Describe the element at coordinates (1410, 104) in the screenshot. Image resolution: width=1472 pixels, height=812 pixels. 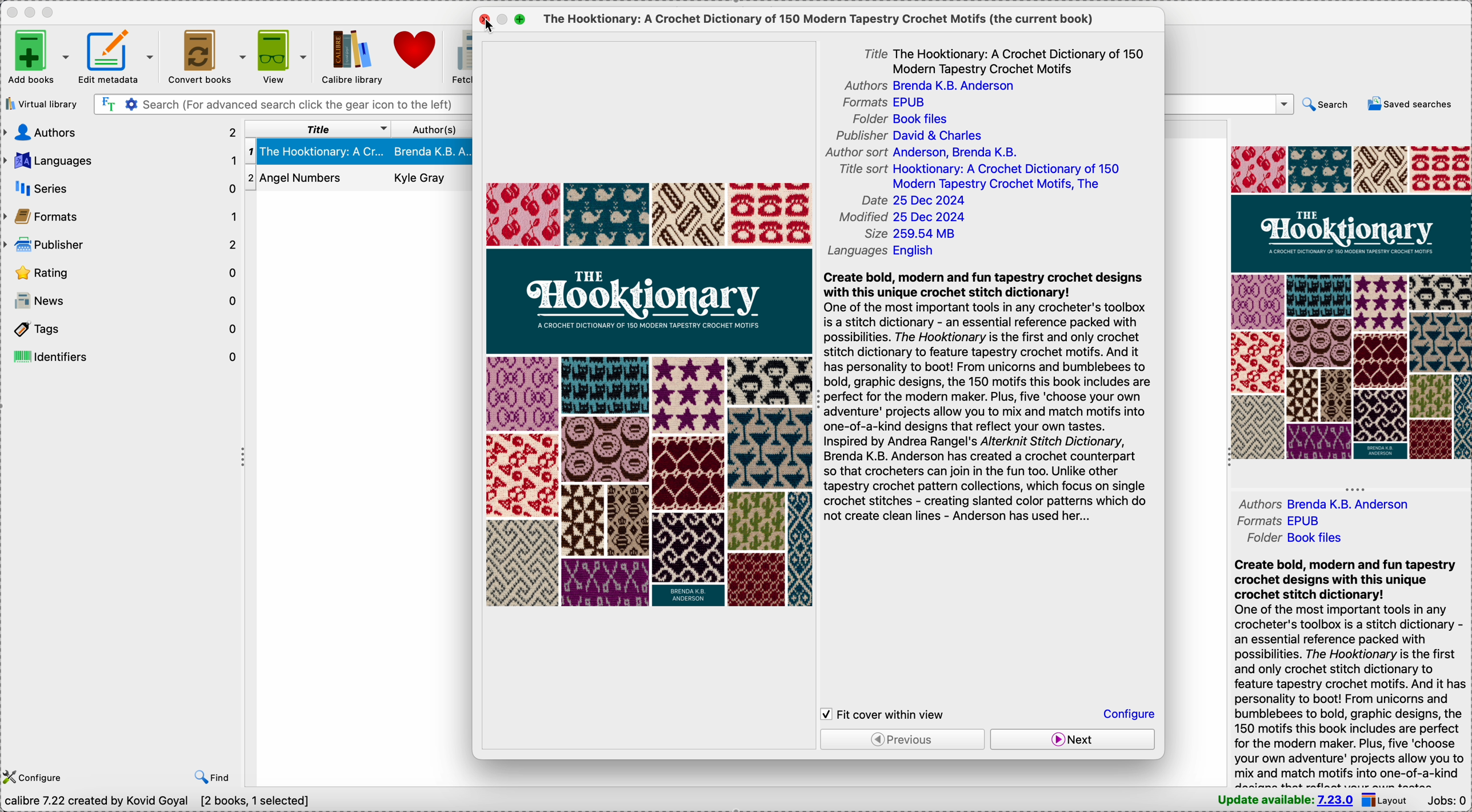
I see `saved searches` at that location.